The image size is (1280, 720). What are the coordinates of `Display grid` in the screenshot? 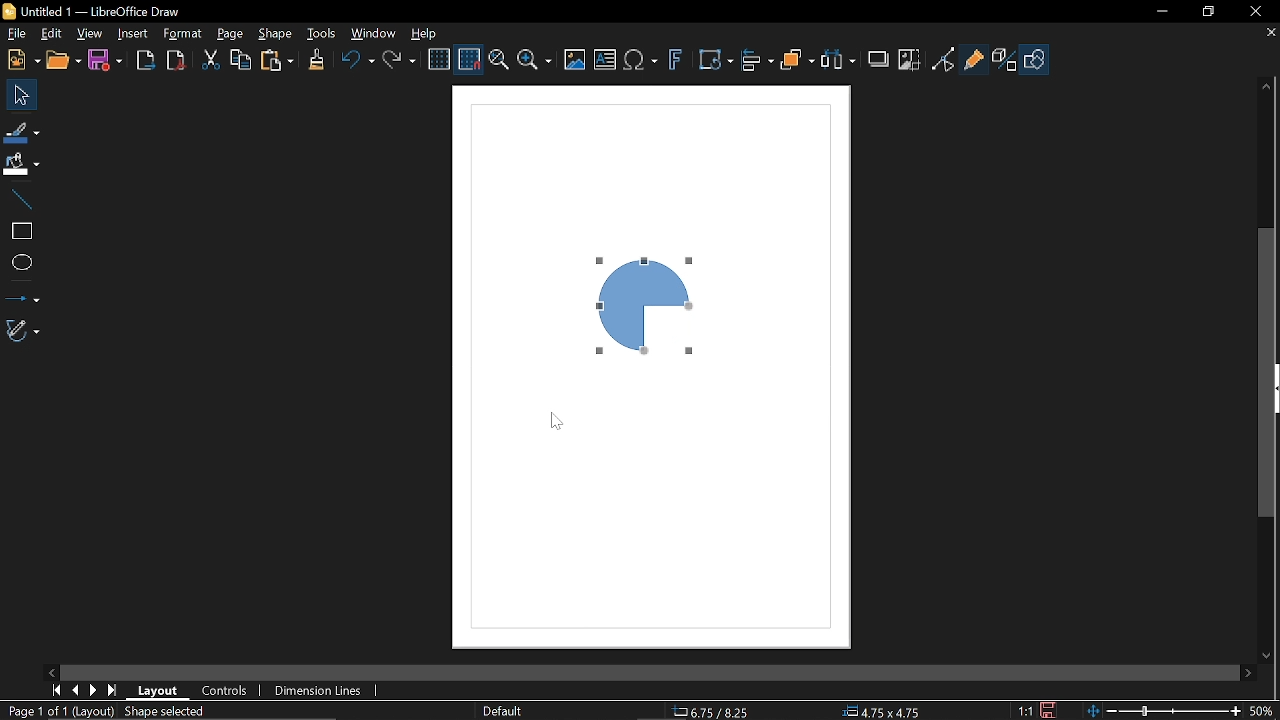 It's located at (440, 58).